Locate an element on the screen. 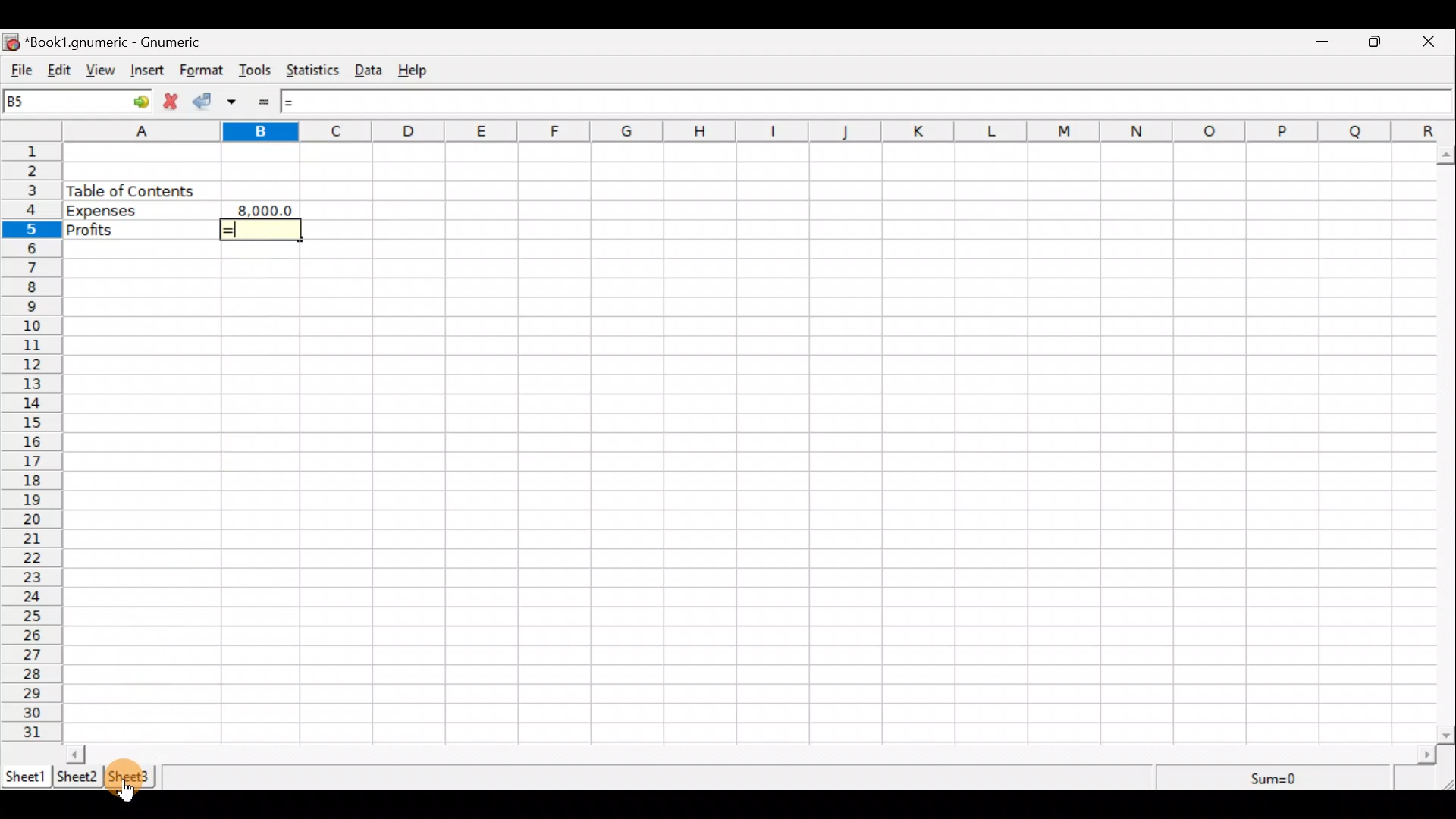 The height and width of the screenshot is (819, 1456). Maximize/Minimize is located at coordinates (1379, 42).